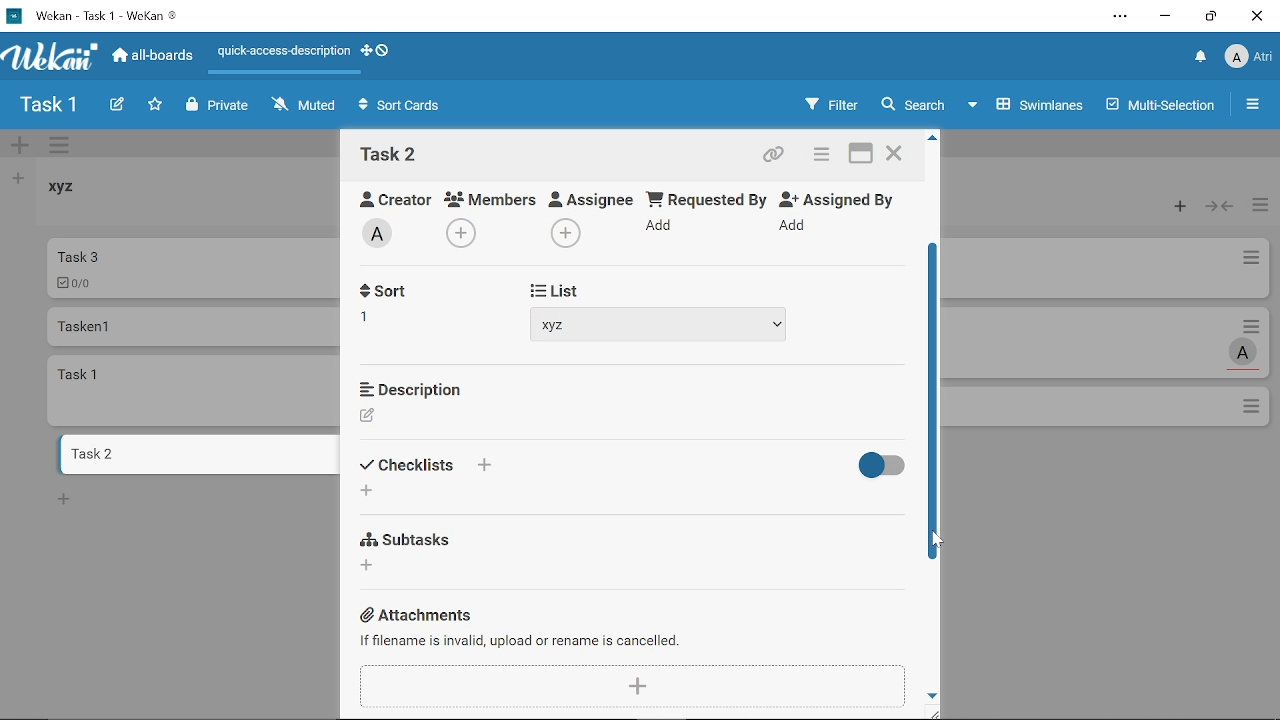  I want to click on Sort, so click(409, 465).